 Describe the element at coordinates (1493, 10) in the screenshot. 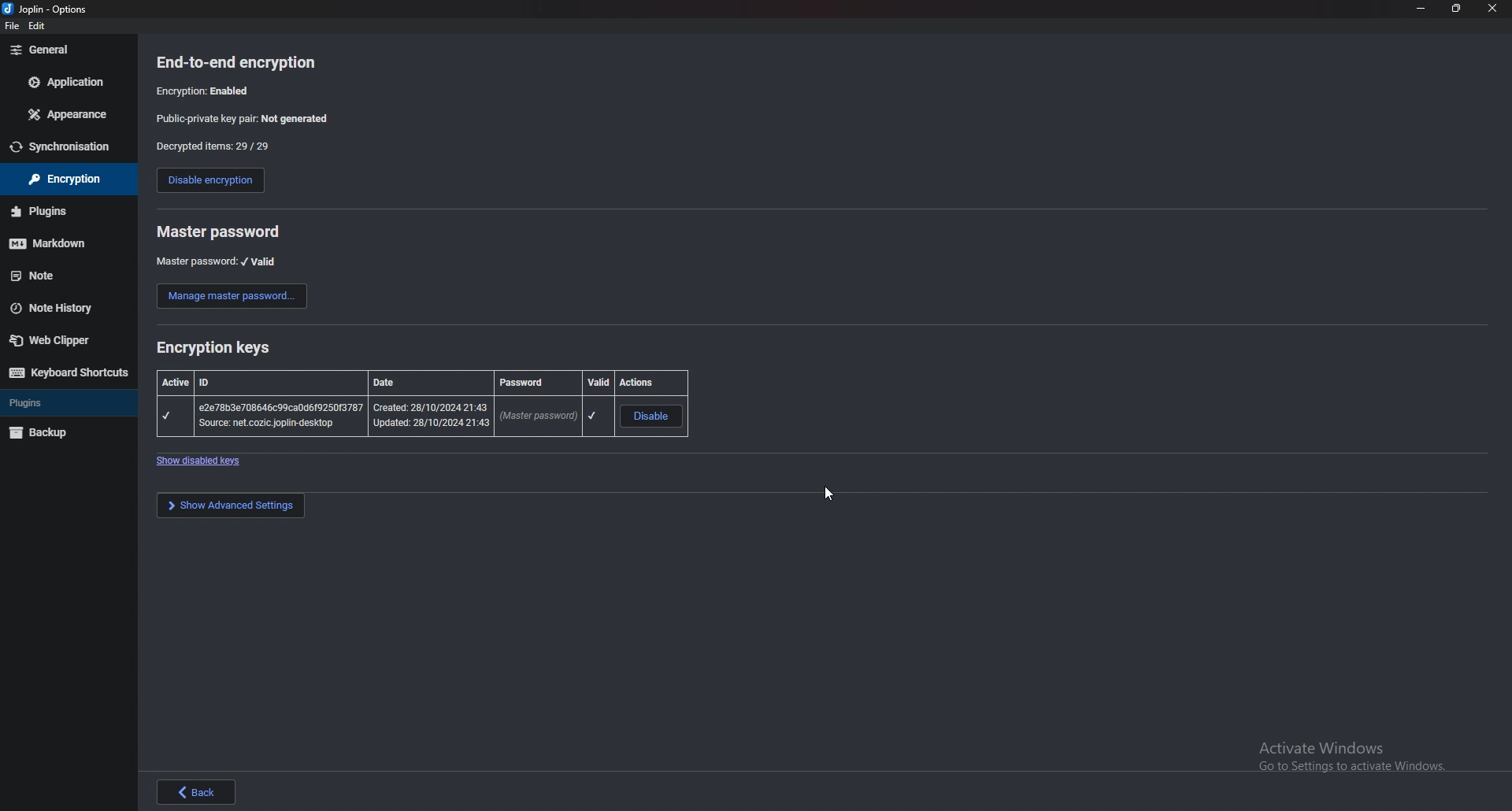

I see `` at that location.